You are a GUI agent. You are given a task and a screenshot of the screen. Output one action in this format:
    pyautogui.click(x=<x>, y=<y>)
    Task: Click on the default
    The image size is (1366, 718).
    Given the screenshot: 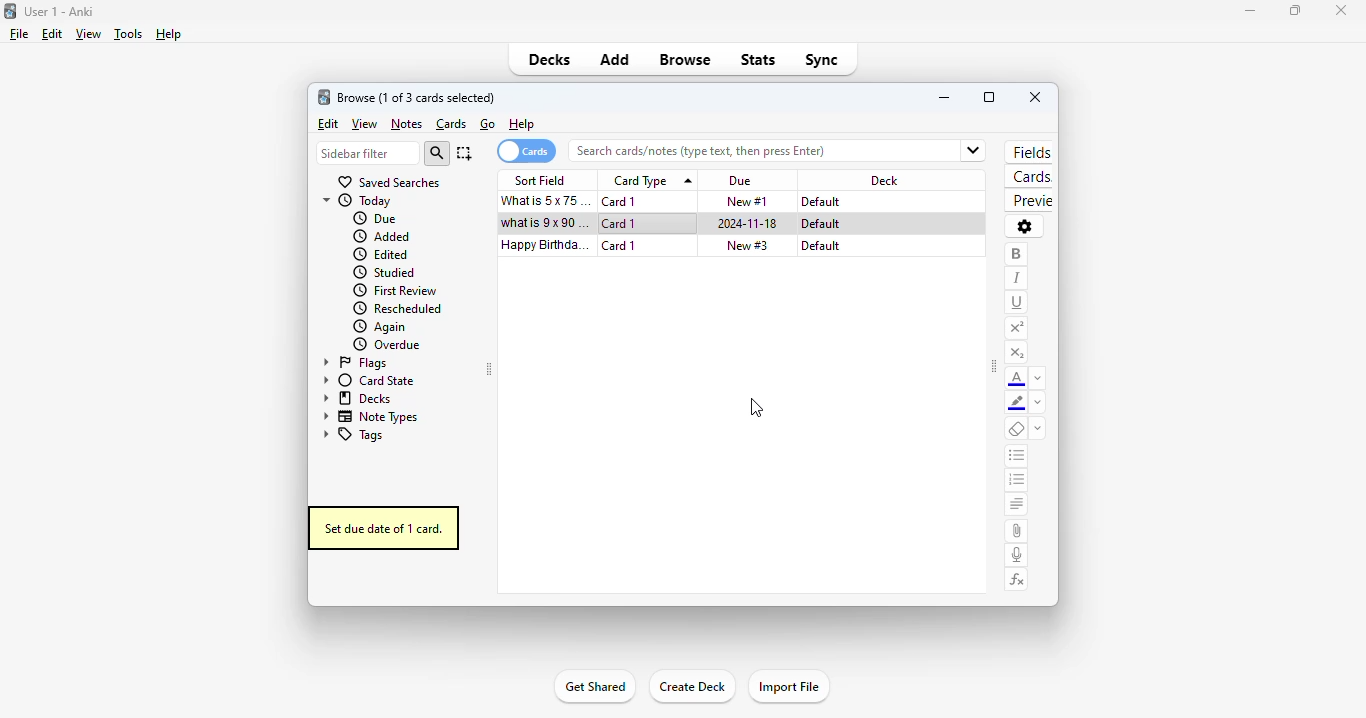 What is the action you would take?
    pyautogui.click(x=821, y=202)
    